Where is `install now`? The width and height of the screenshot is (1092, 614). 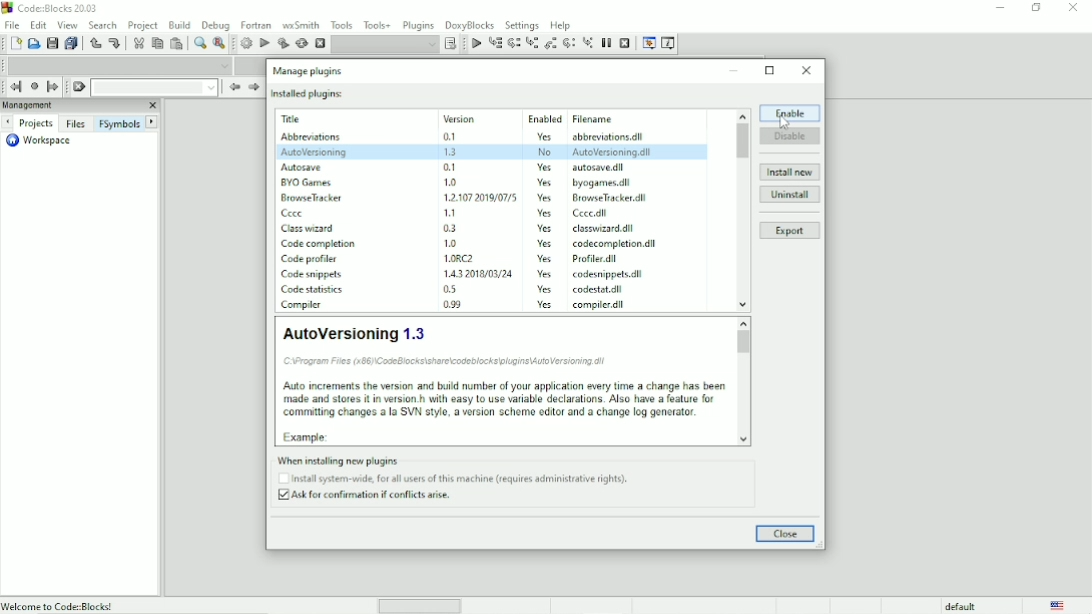
install now is located at coordinates (790, 172).